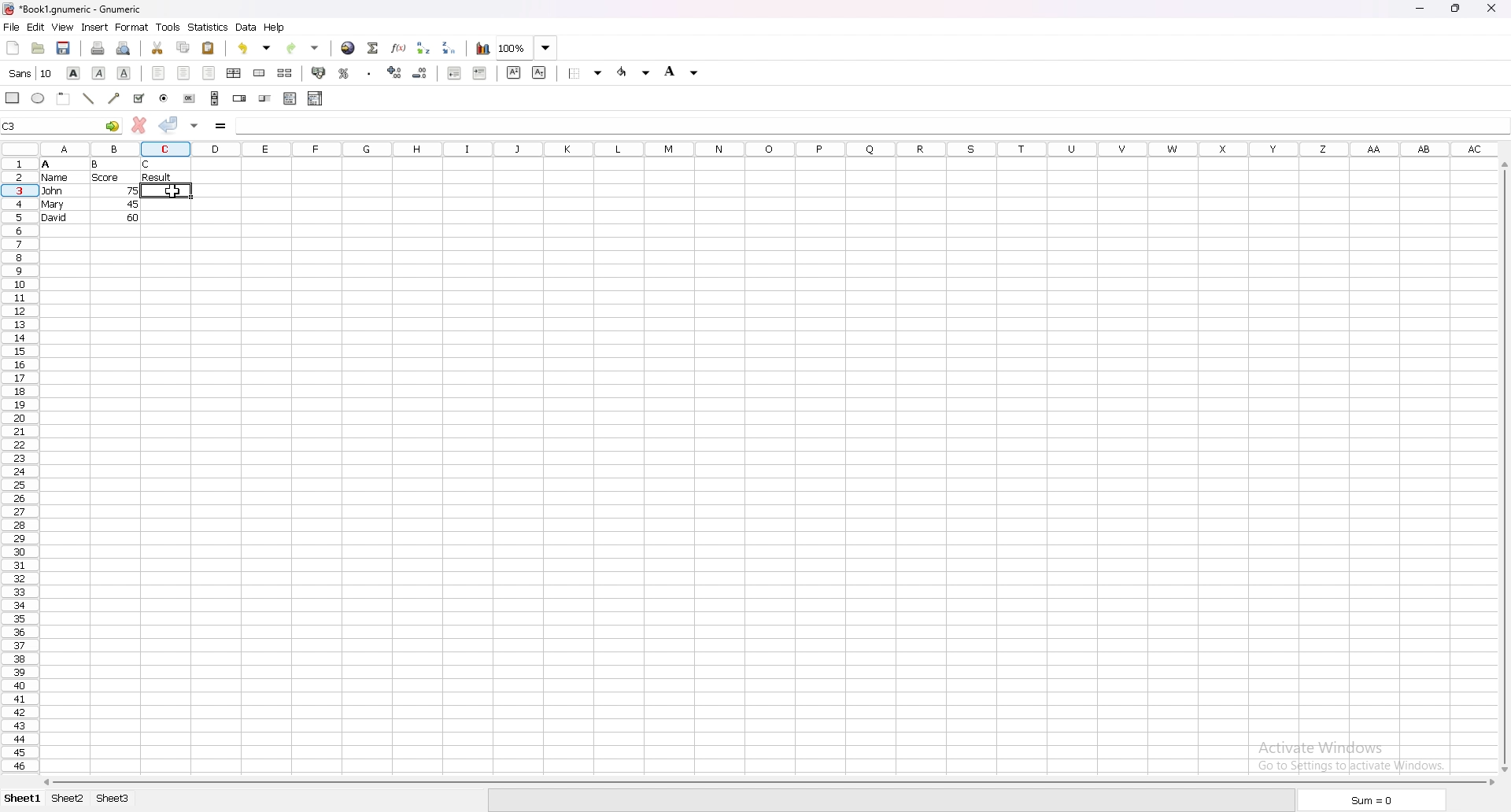  What do you see at coordinates (134, 190) in the screenshot?
I see `75` at bounding box center [134, 190].